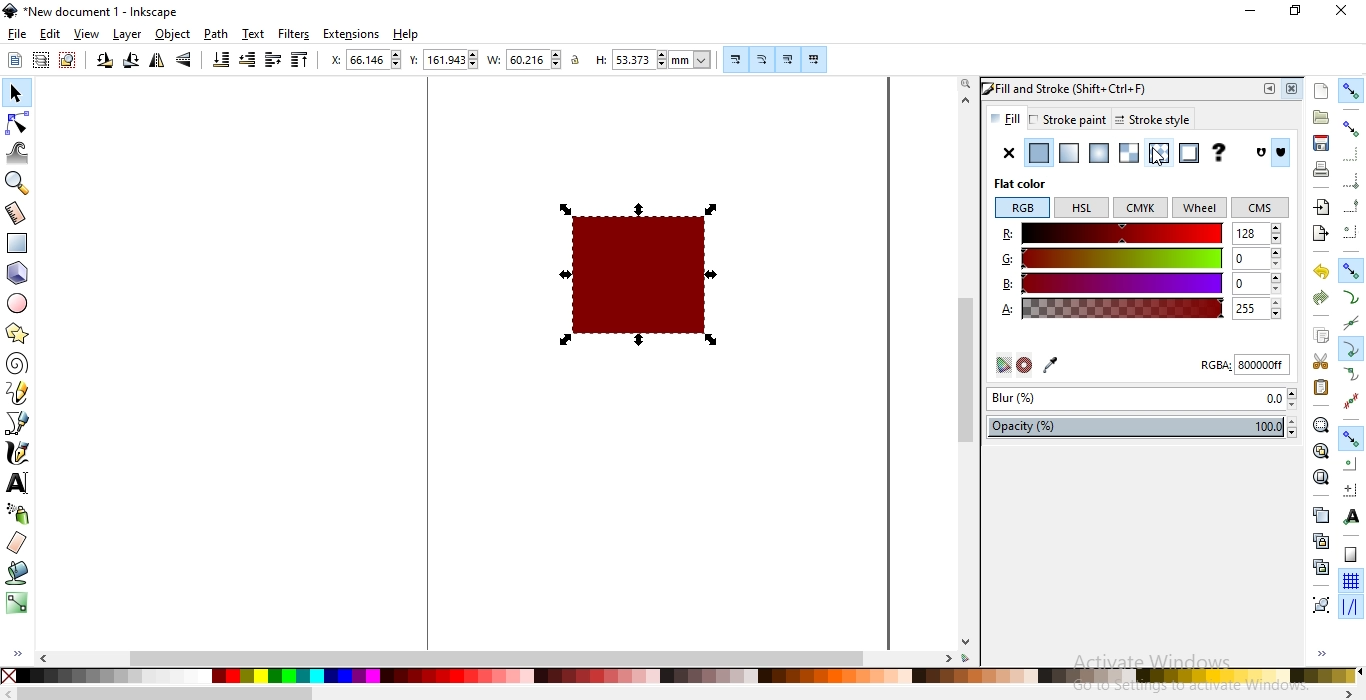 The height and width of the screenshot is (700, 1366). What do you see at coordinates (1319, 451) in the screenshot?
I see `zoom to fit drawing` at bounding box center [1319, 451].